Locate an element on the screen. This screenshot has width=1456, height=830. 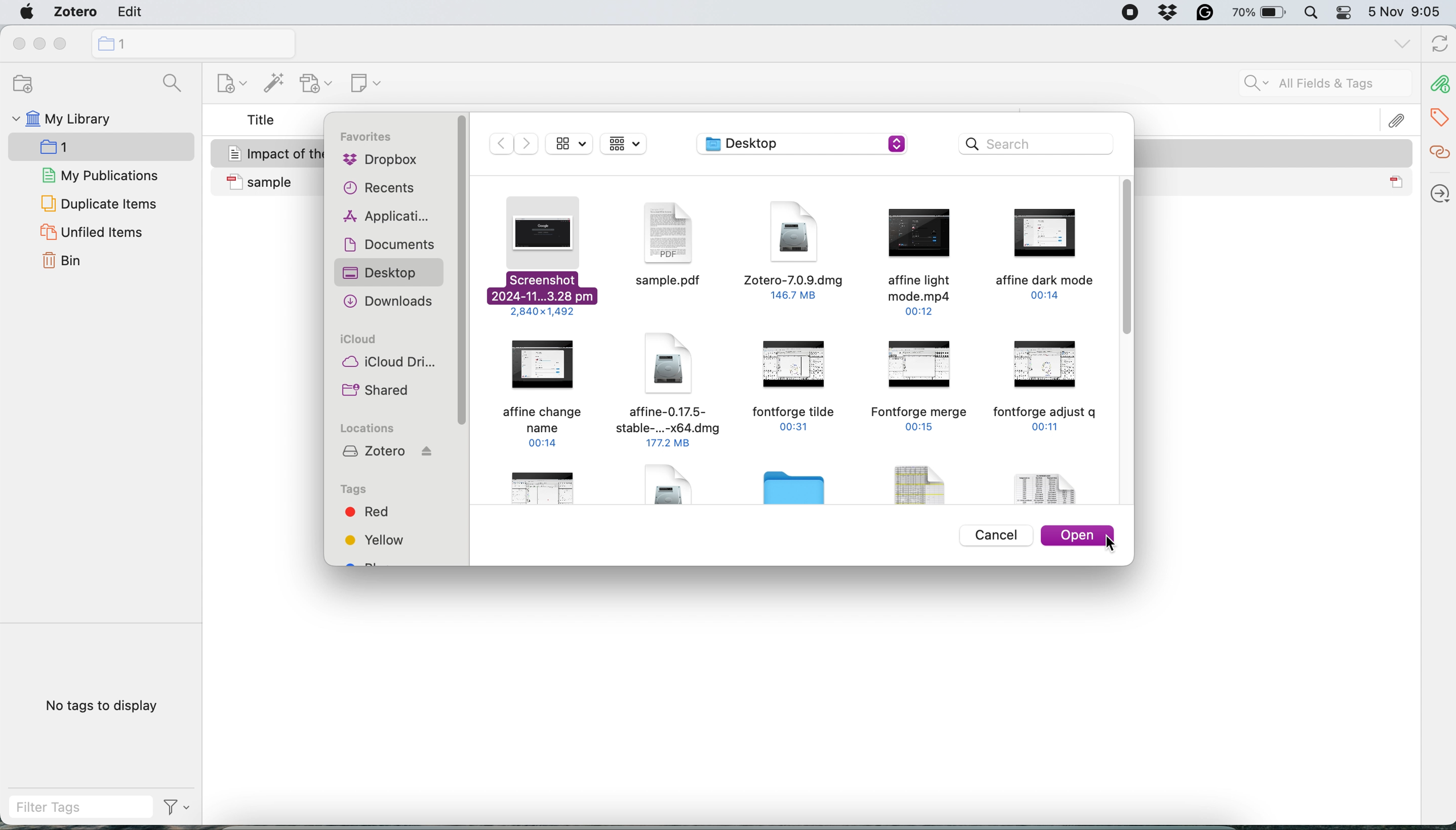
File is located at coordinates (1052, 482).